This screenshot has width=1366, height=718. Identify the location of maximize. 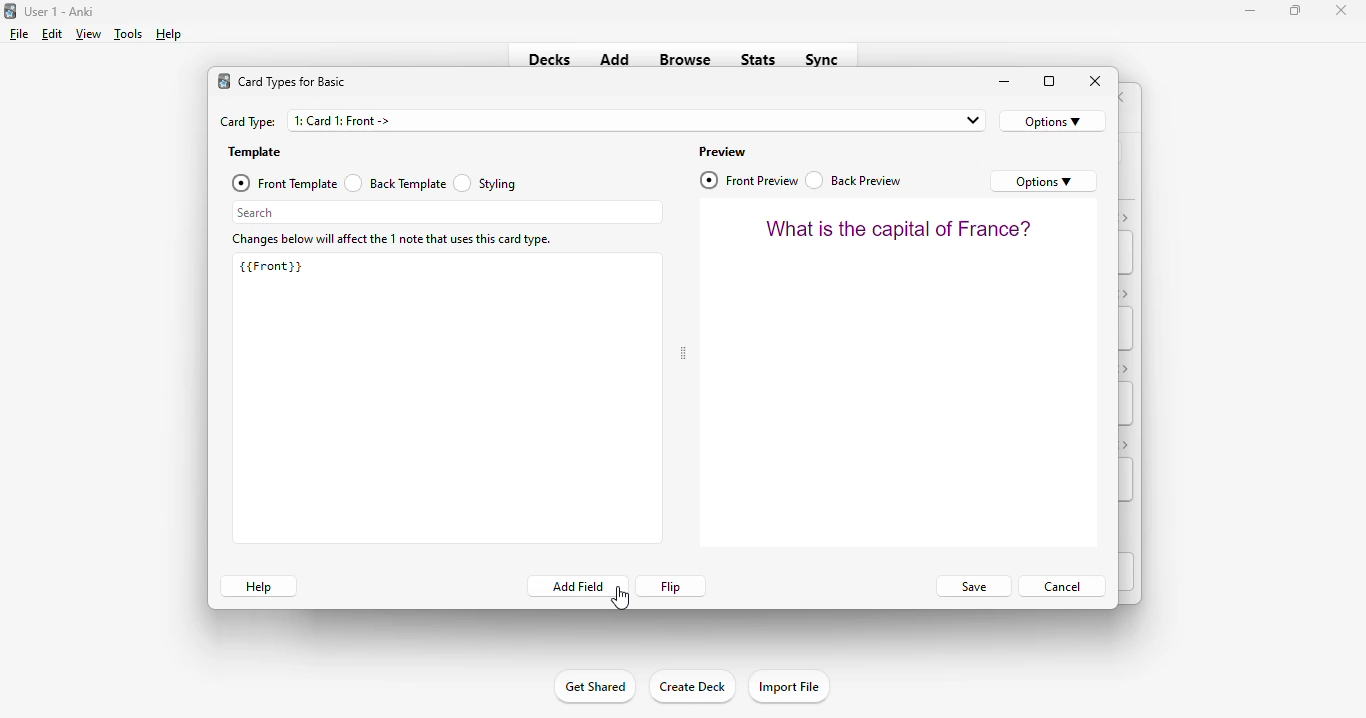
(1295, 9).